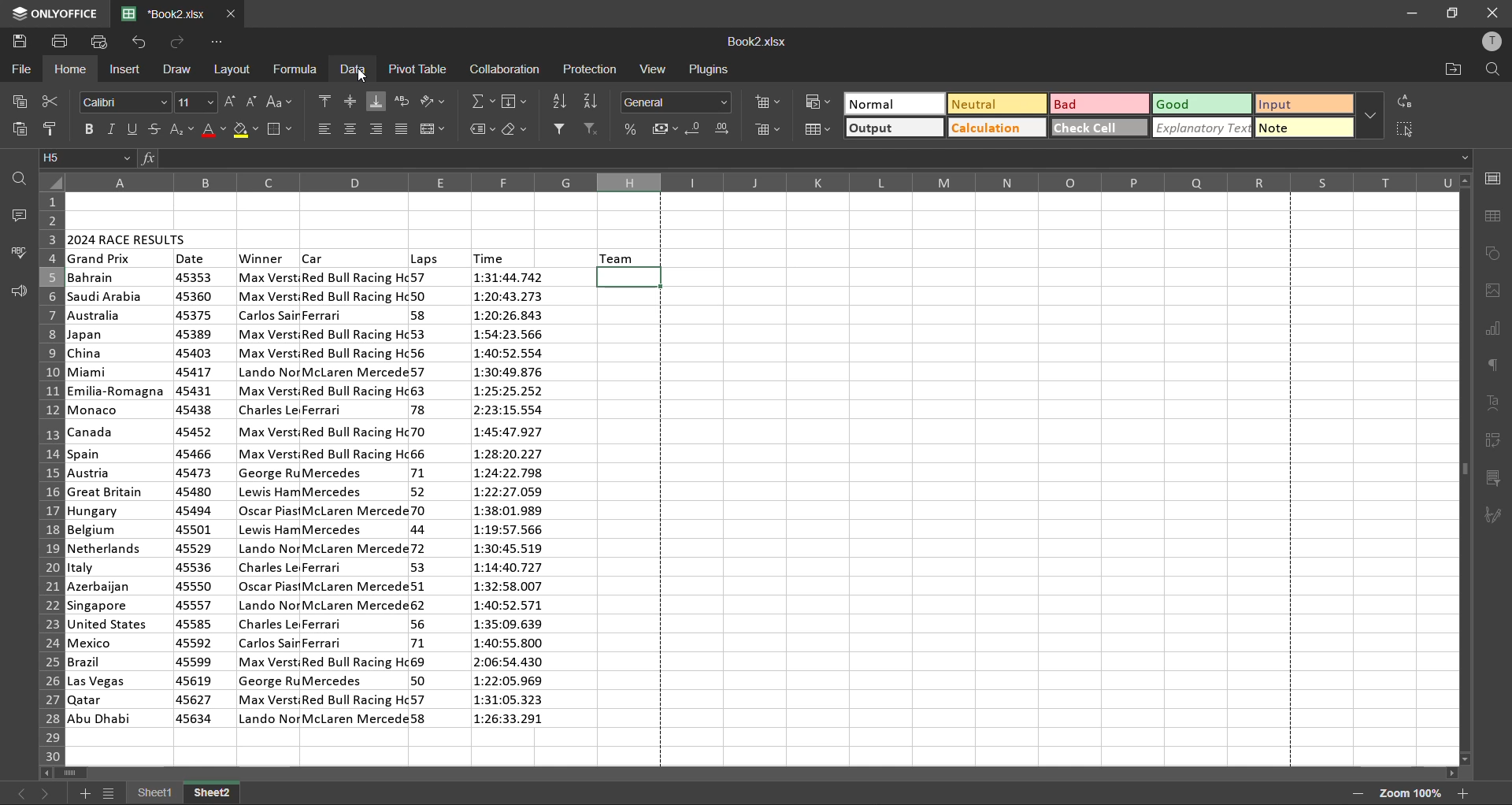 Image resolution: width=1512 pixels, height=805 pixels. Describe the element at coordinates (133, 131) in the screenshot. I see `underline` at that location.